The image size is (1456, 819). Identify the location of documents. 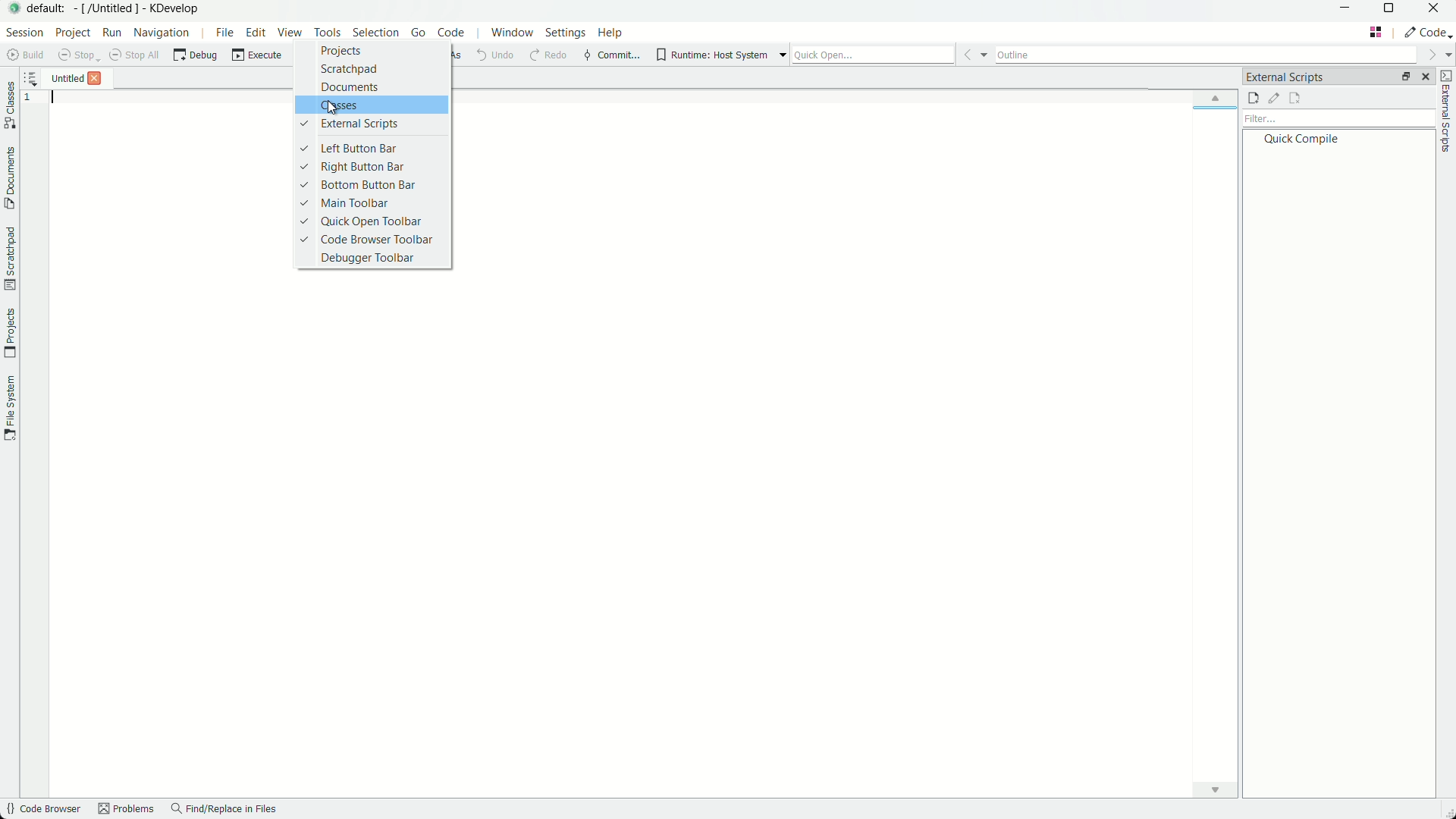
(9, 177).